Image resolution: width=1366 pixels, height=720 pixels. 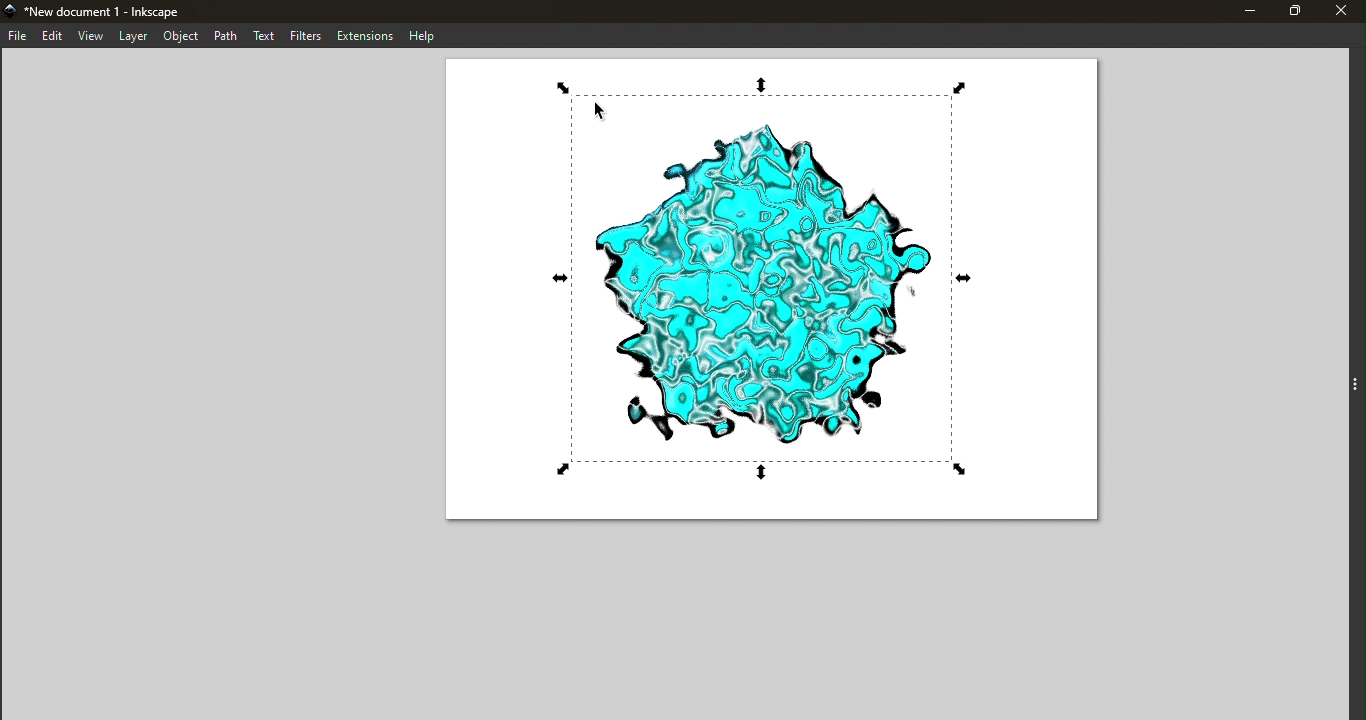 I want to click on Canvas with lapping distort effect applied on the svg, so click(x=770, y=295).